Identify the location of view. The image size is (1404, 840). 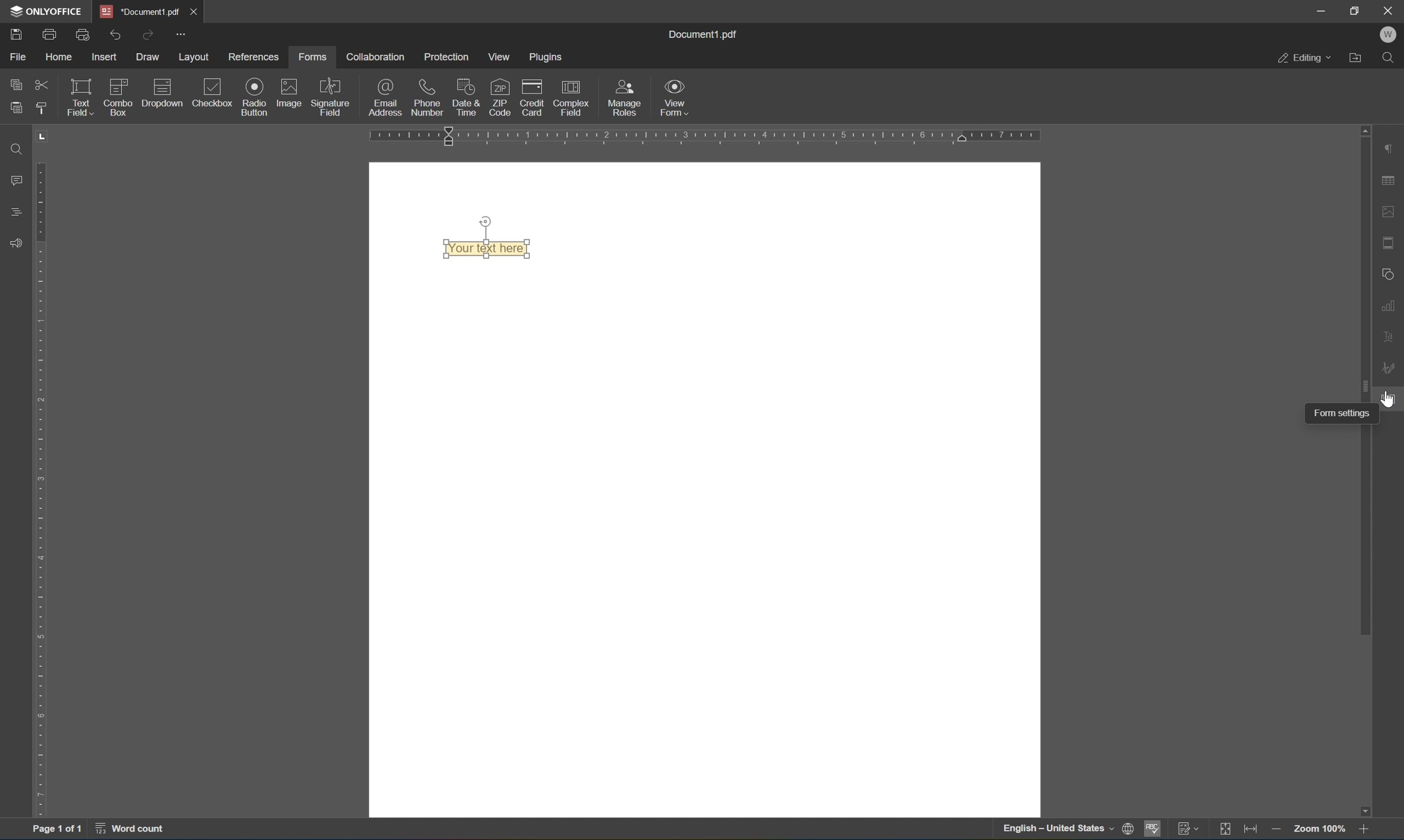
(503, 57).